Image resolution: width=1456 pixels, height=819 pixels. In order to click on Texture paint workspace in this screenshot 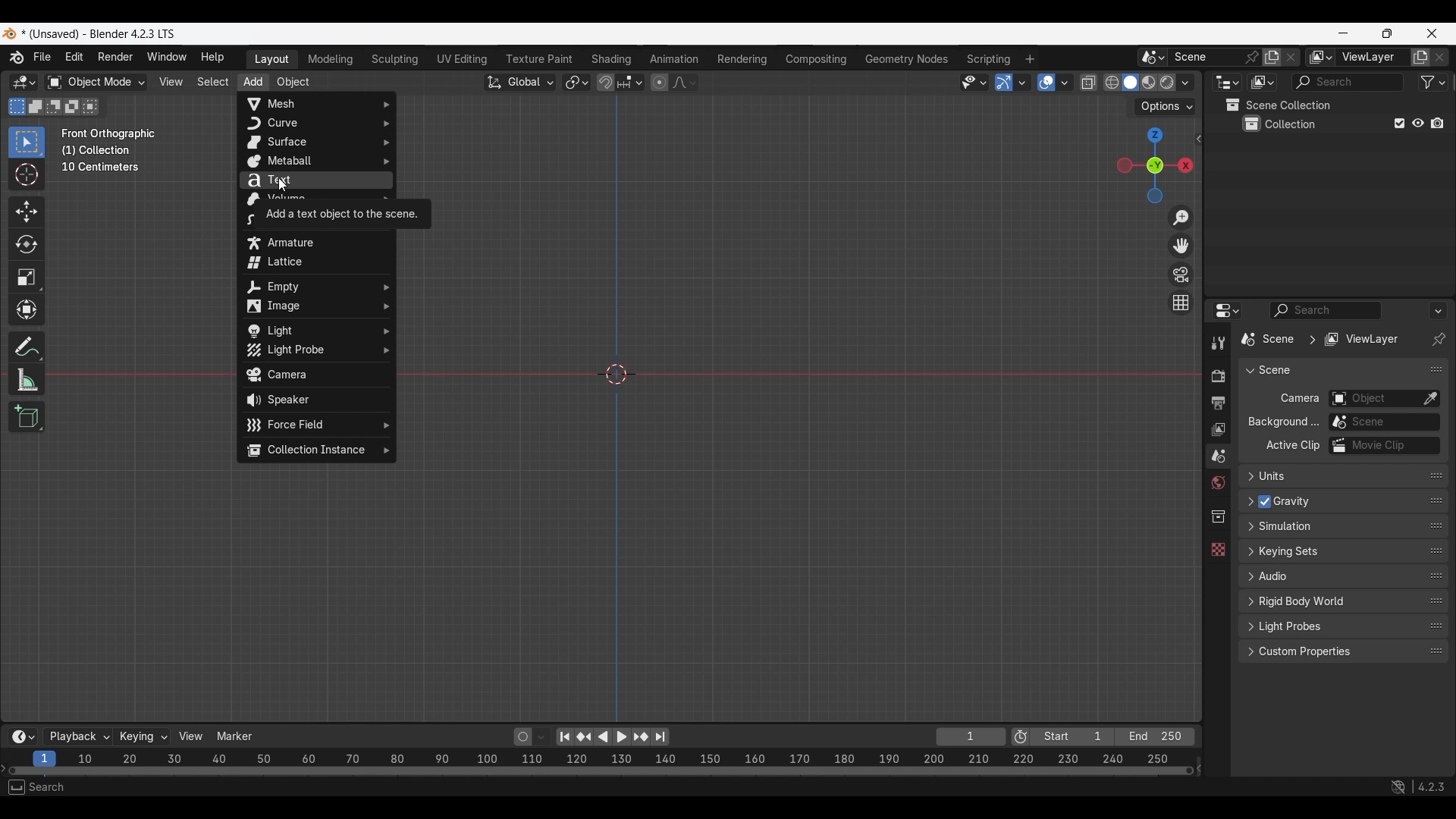, I will do `click(541, 59)`.